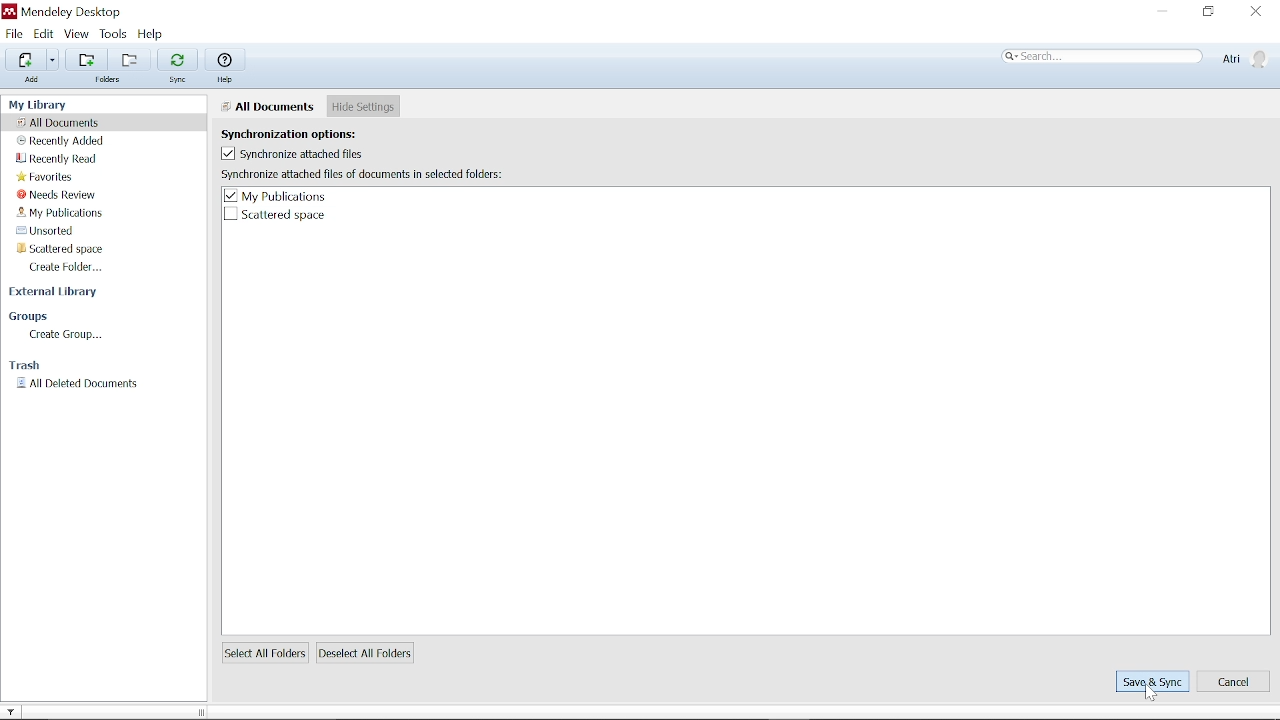 The image size is (1280, 720). Describe the element at coordinates (300, 132) in the screenshot. I see `‘Synchronization options:` at that location.